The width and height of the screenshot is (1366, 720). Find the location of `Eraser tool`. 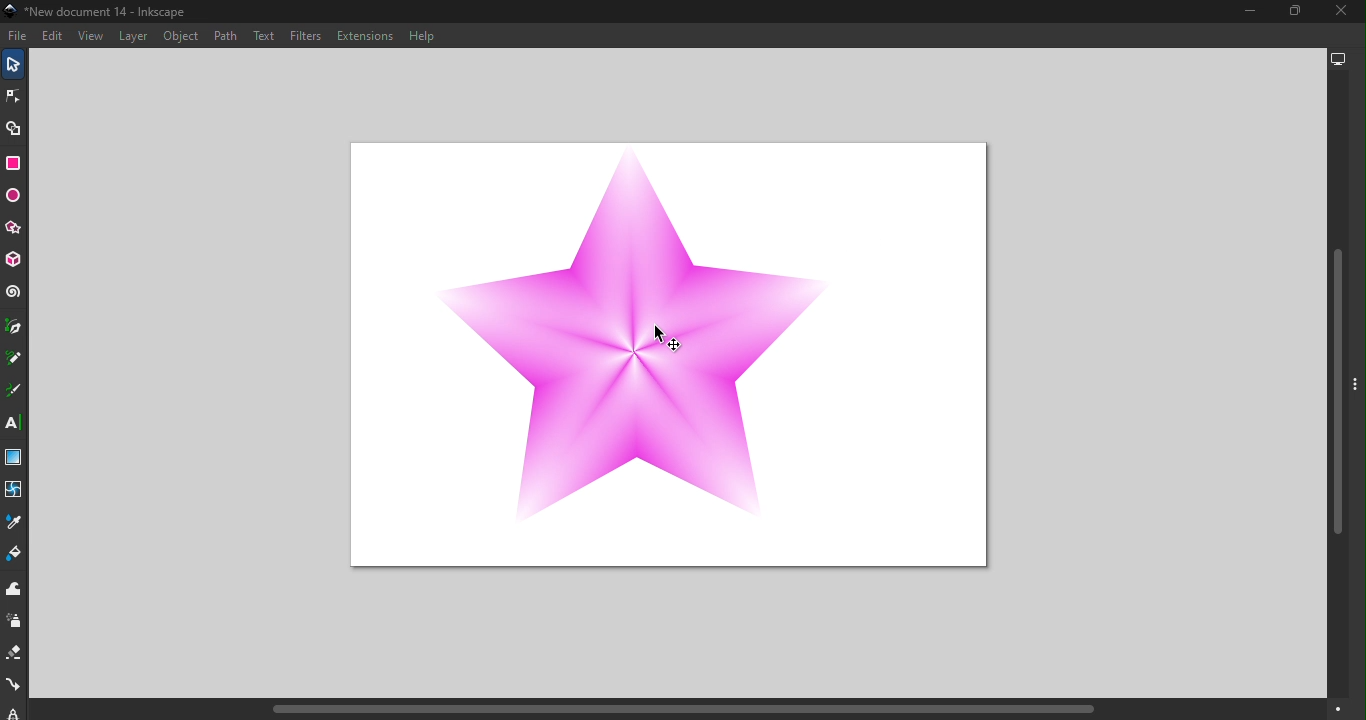

Eraser tool is located at coordinates (16, 653).